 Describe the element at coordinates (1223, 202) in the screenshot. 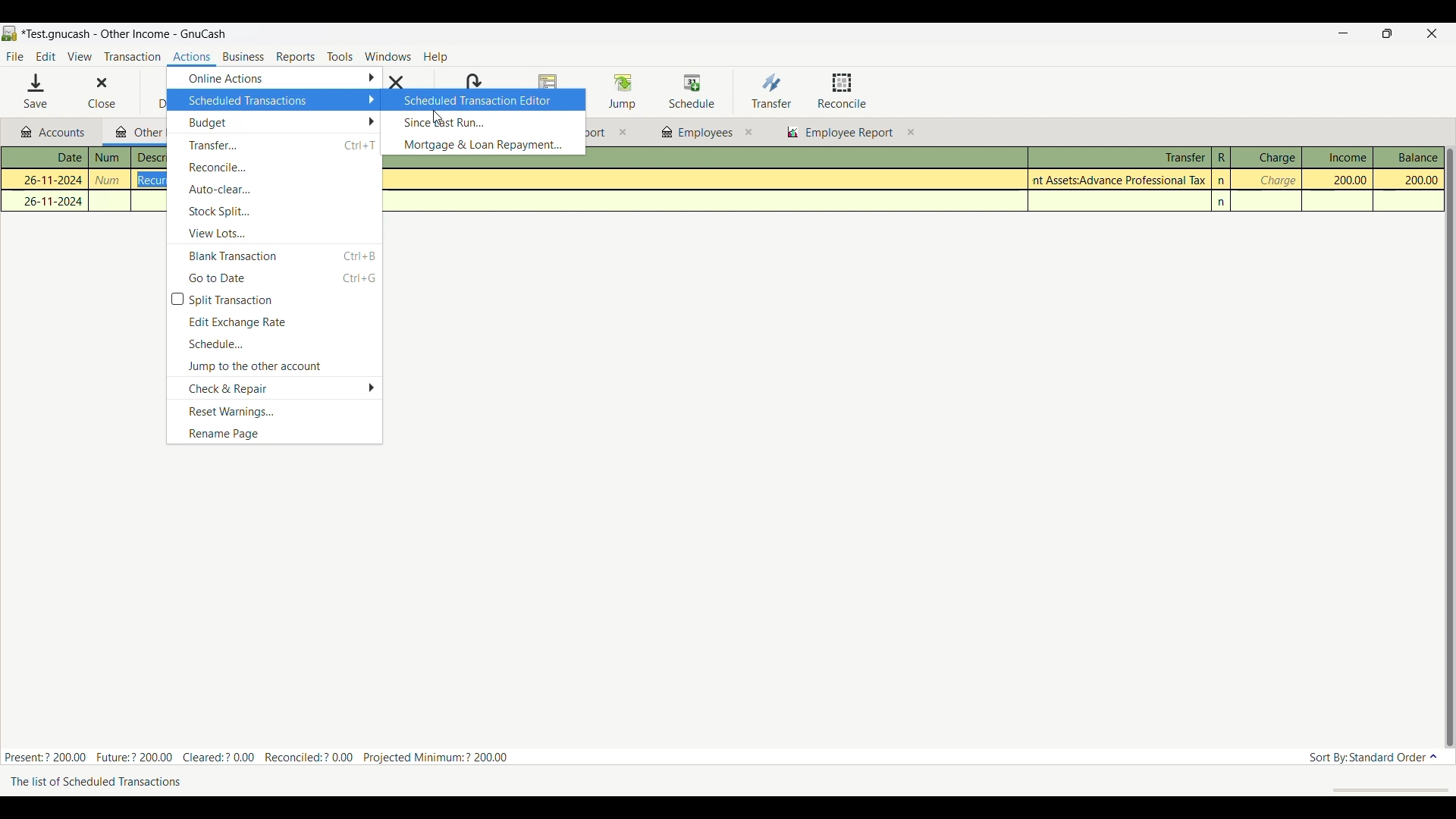

I see `n` at that location.